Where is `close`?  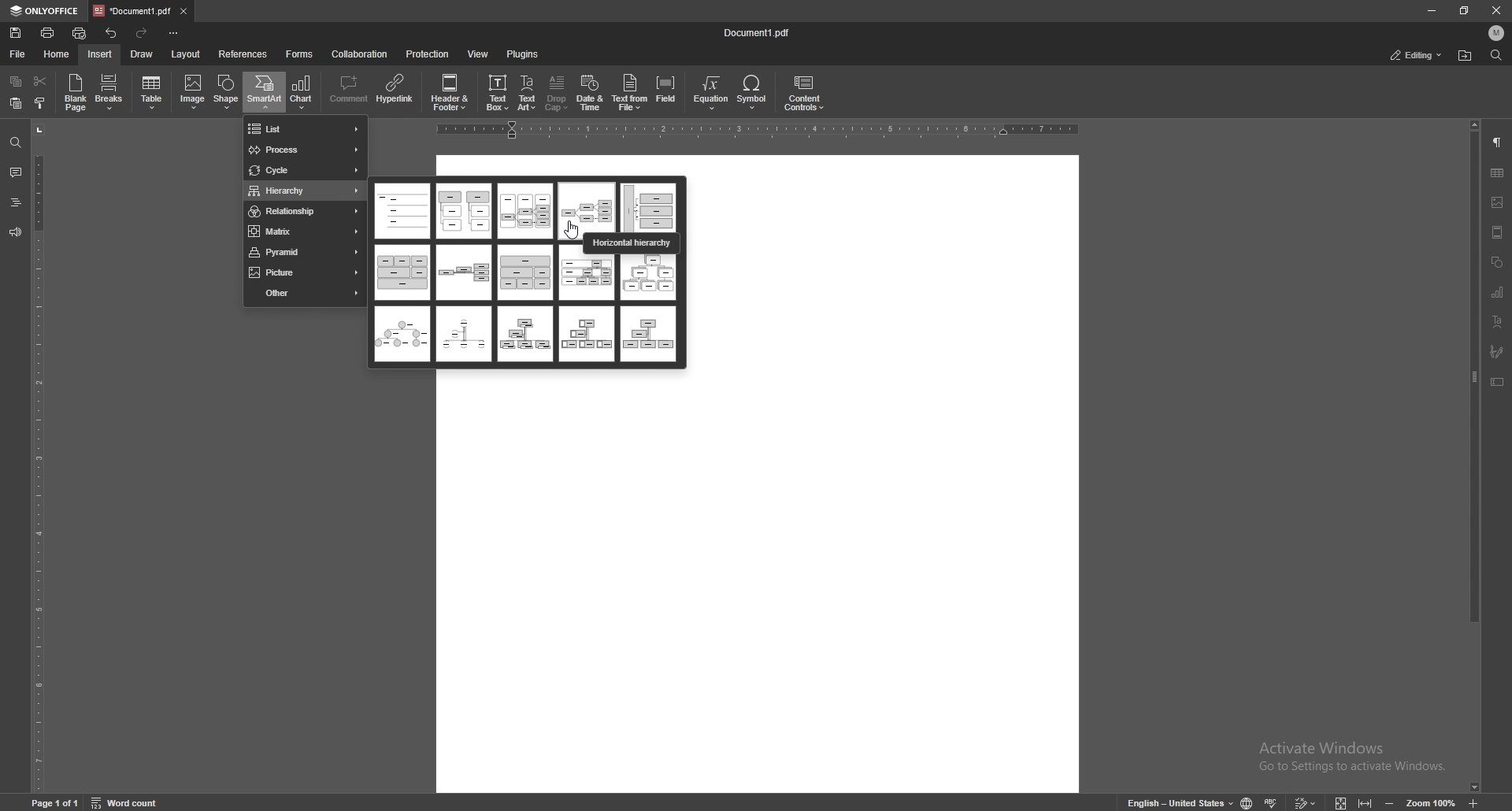
close is located at coordinates (1497, 9).